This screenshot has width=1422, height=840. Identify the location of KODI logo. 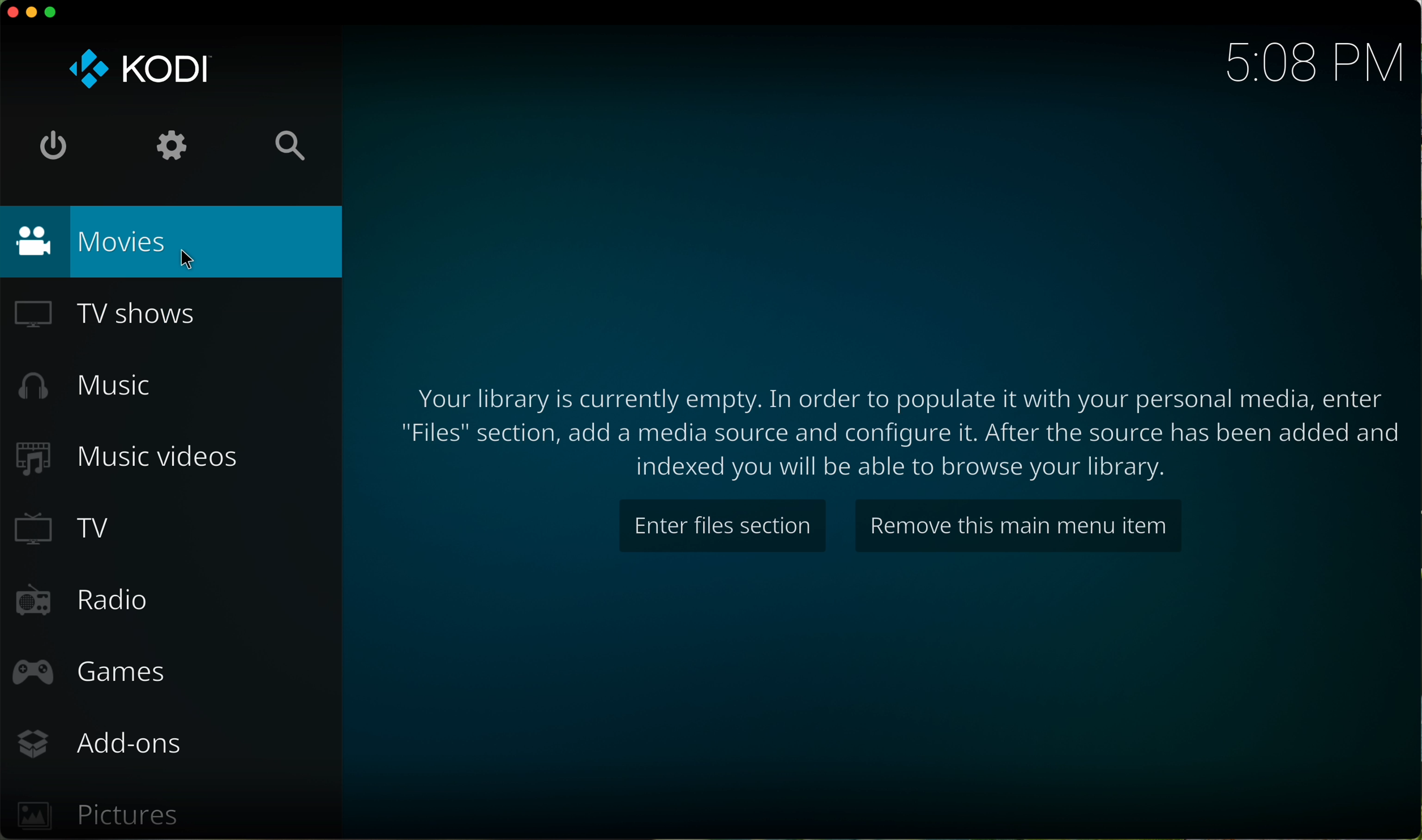
(138, 69).